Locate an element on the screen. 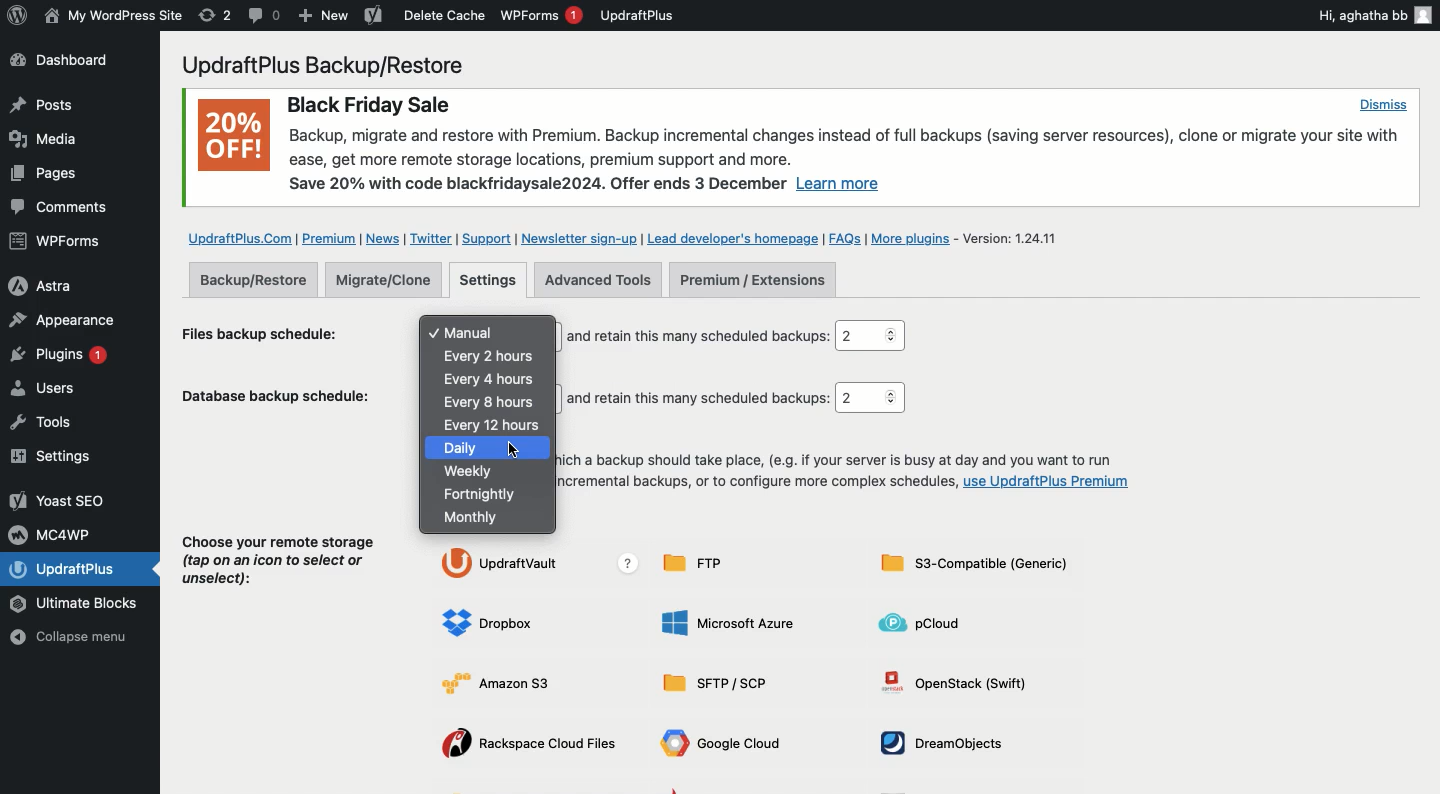 Image resolution: width=1440 pixels, height=794 pixels. Advanced tools is located at coordinates (598, 280).